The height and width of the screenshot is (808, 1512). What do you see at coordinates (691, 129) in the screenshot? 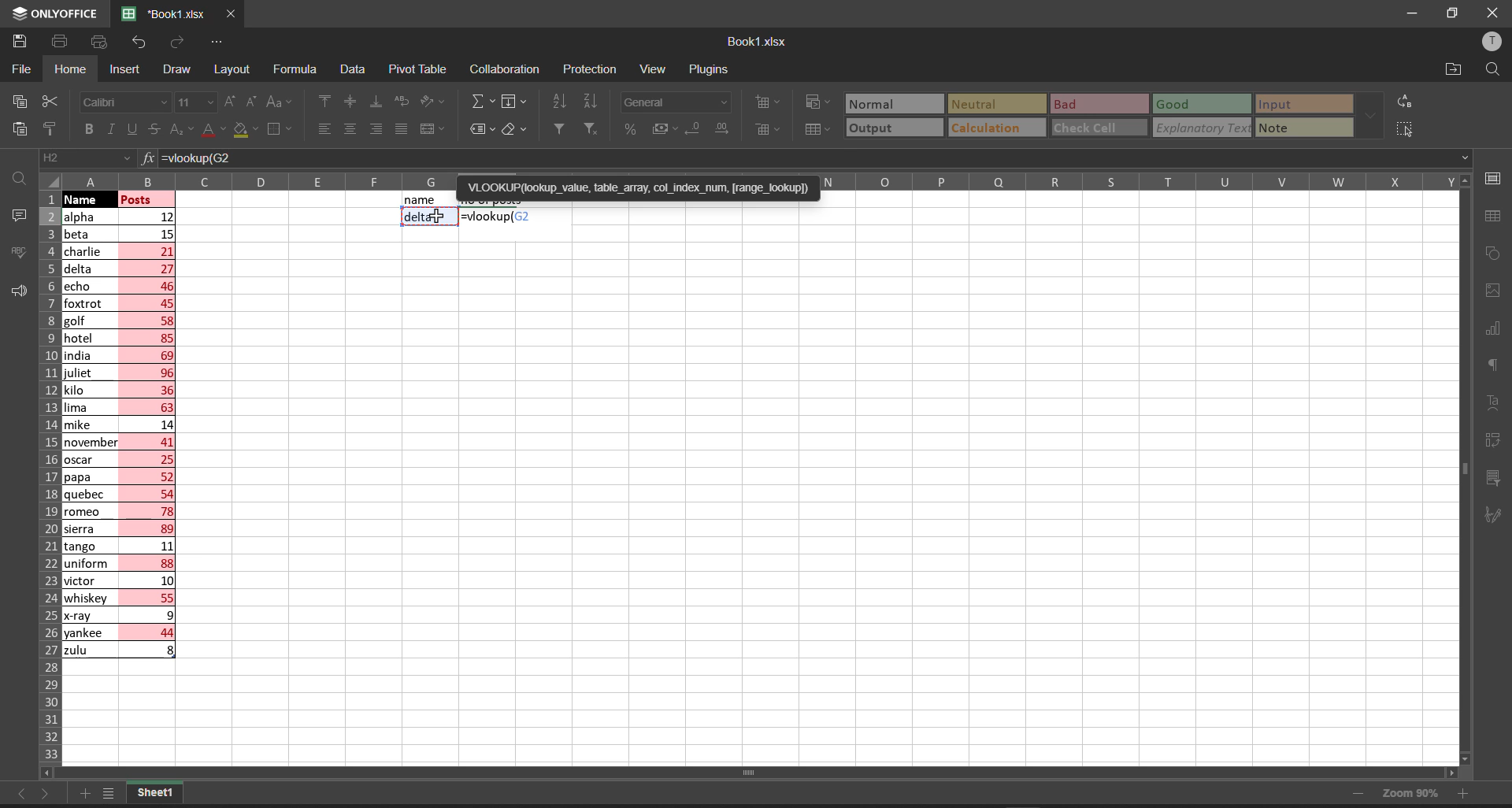
I see `decrease decimal` at bounding box center [691, 129].